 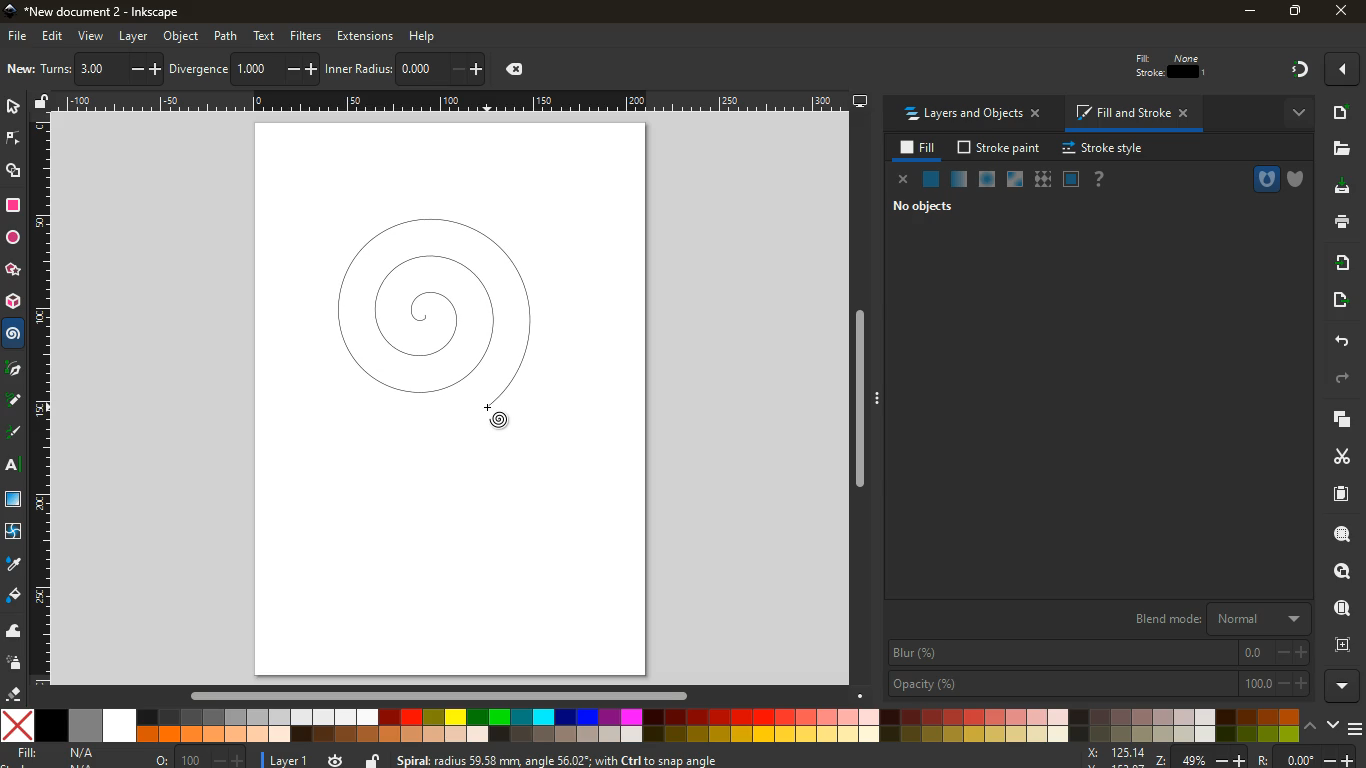 What do you see at coordinates (14, 532) in the screenshot?
I see `twist` at bounding box center [14, 532].